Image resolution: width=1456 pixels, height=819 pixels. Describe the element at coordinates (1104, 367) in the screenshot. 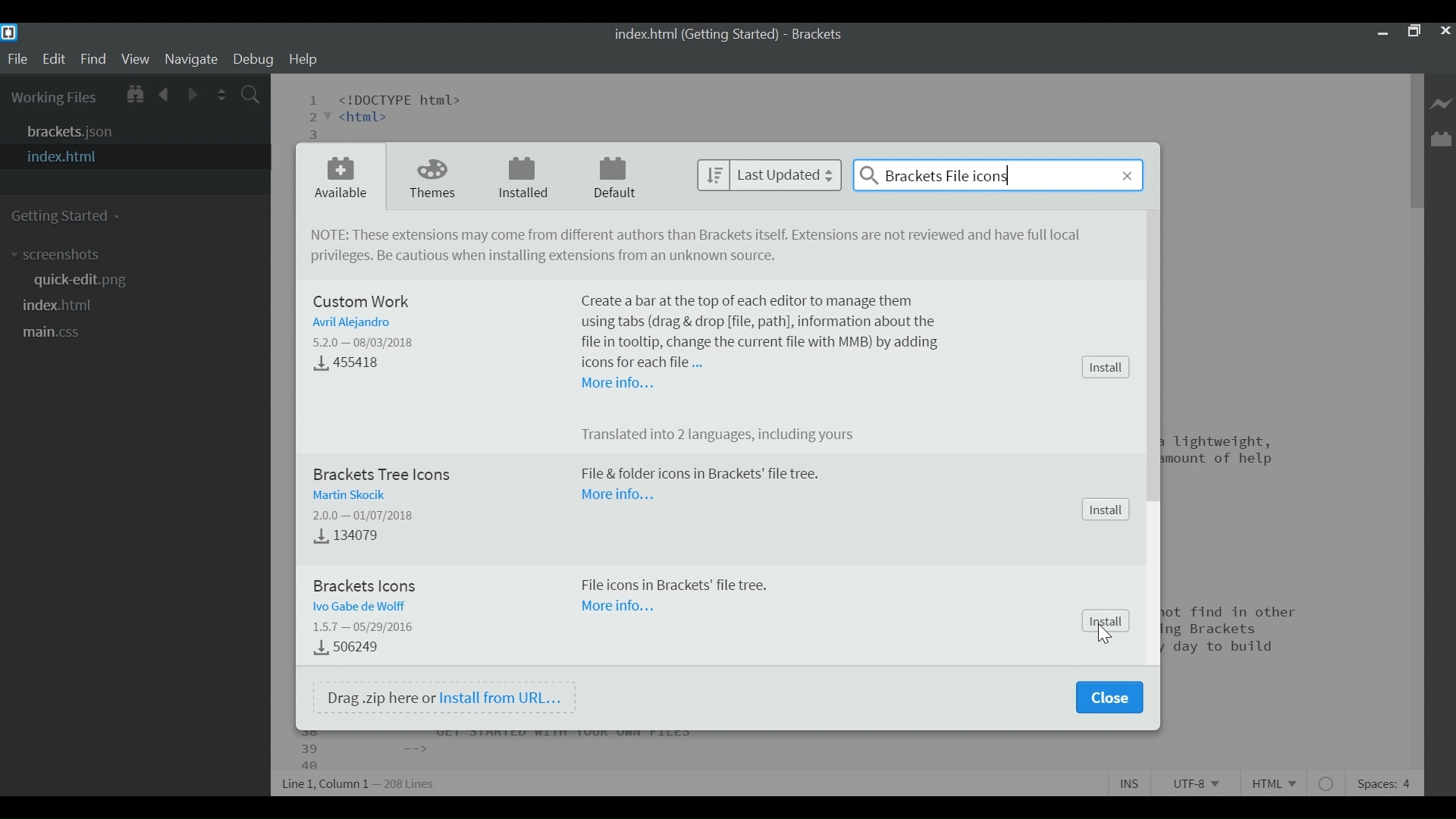

I see `Install` at that location.